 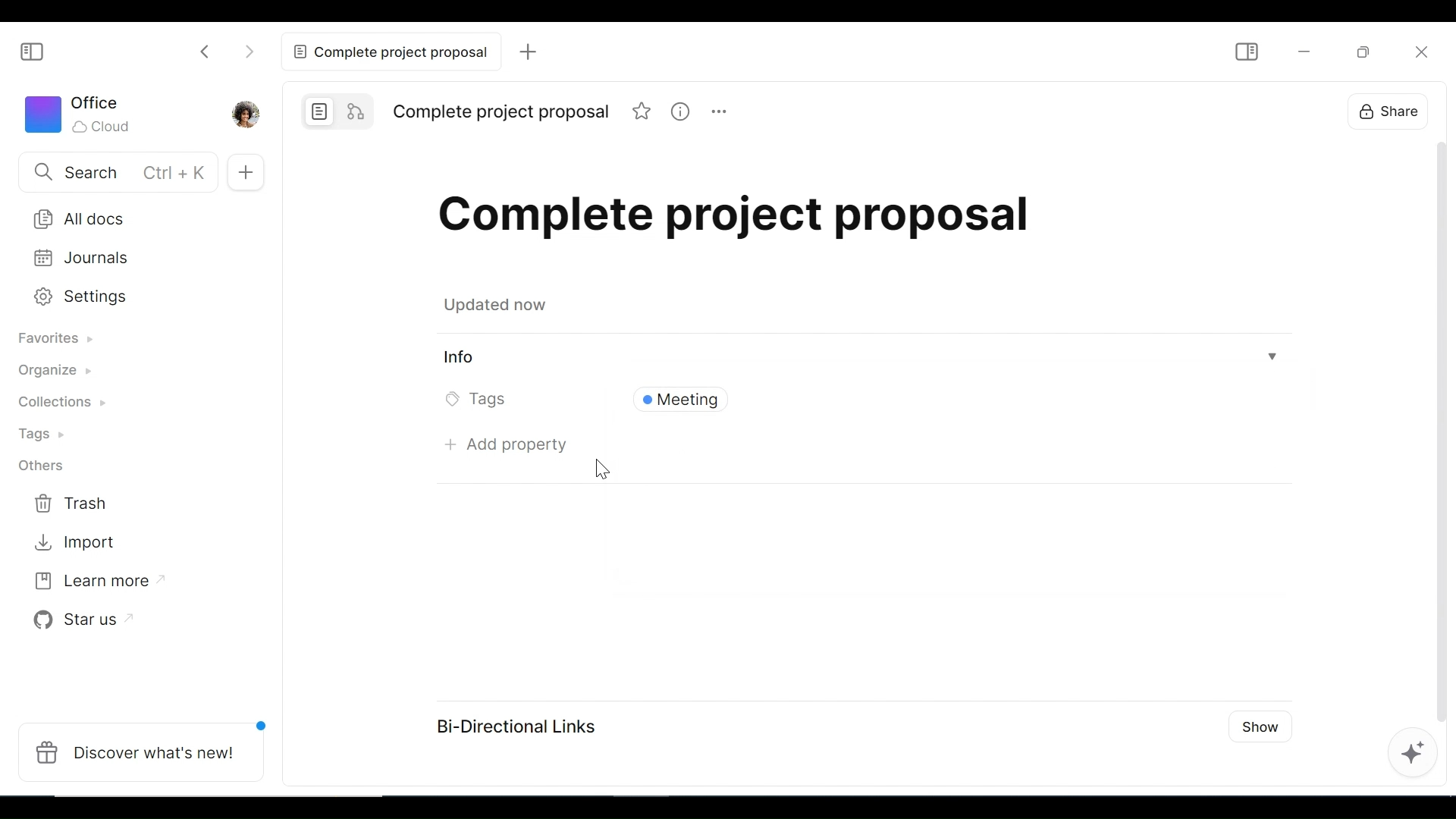 What do you see at coordinates (72, 544) in the screenshot?
I see `Import` at bounding box center [72, 544].